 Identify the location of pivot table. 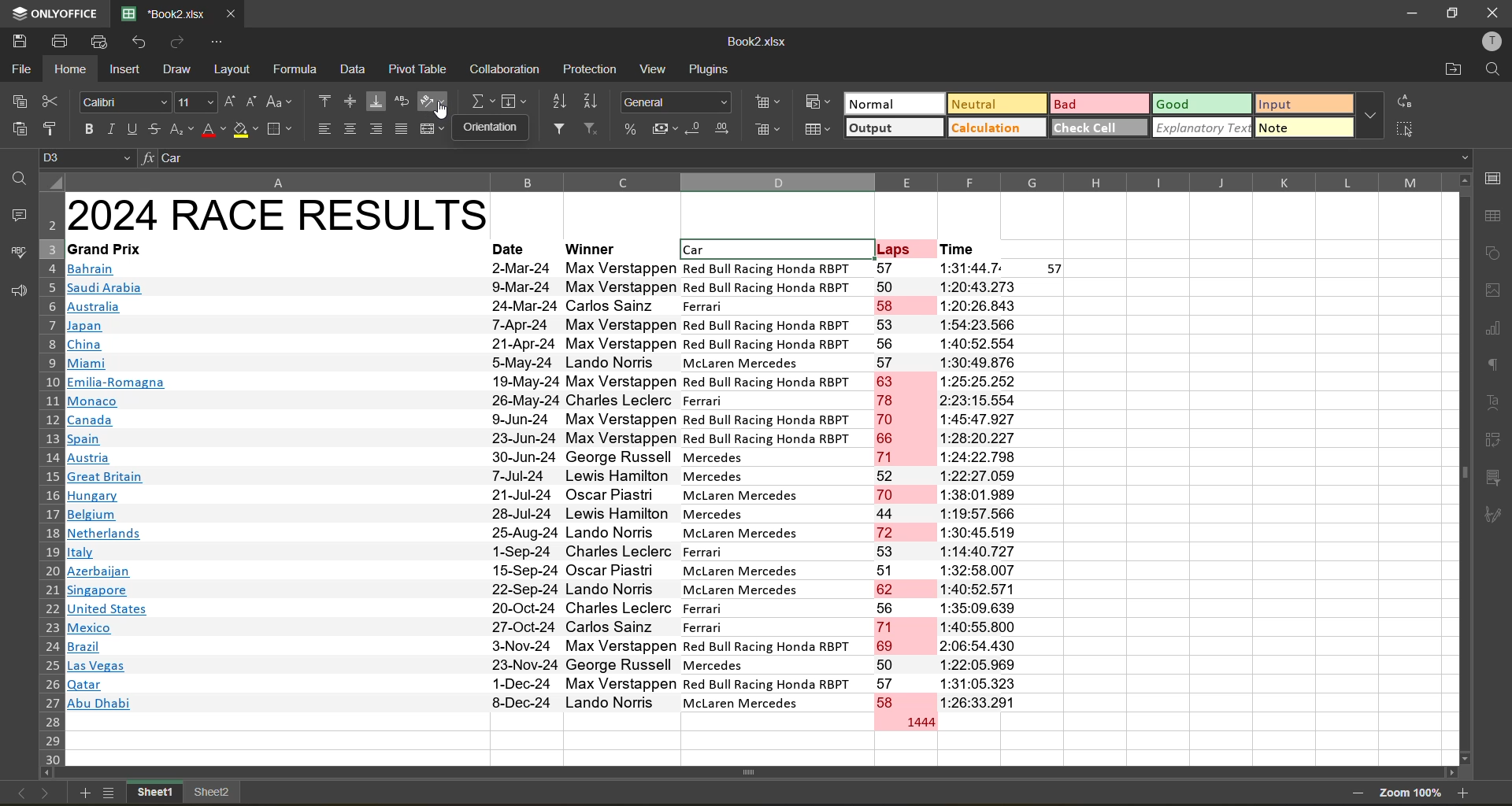
(1492, 439).